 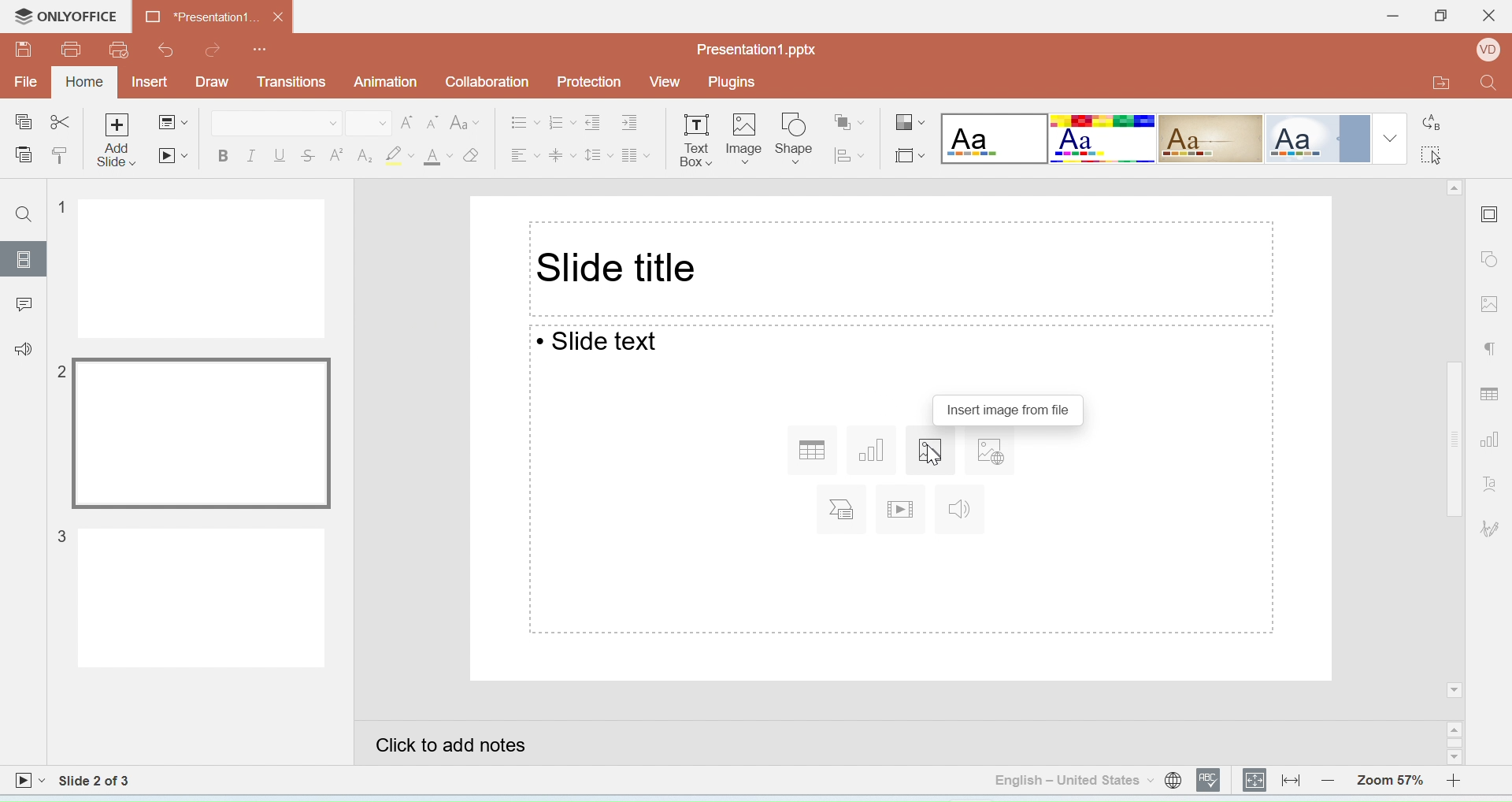 I want to click on Number spacing, so click(x=563, y=121).